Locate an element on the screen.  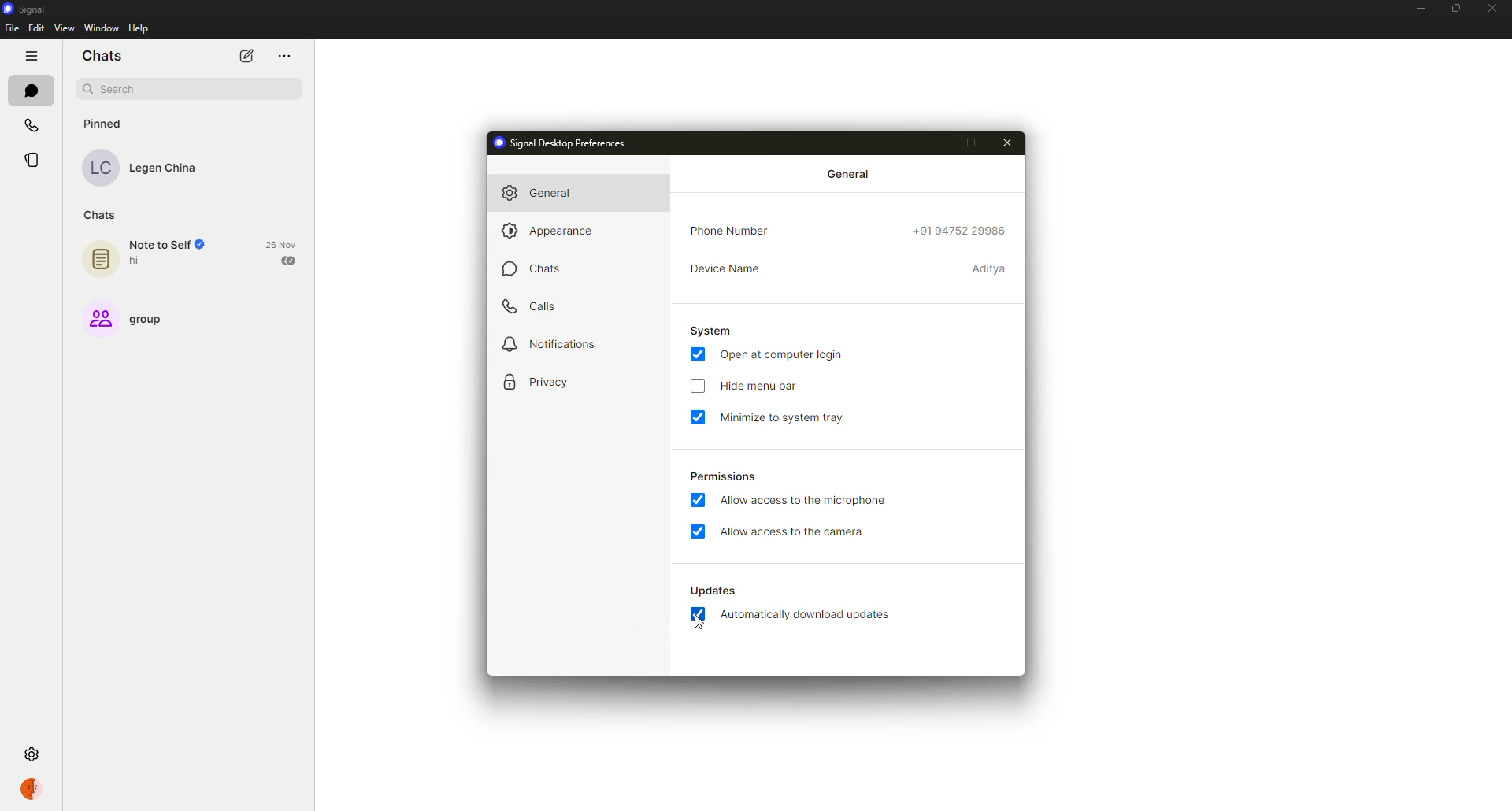
enabled is located at coordinates (698, 531).